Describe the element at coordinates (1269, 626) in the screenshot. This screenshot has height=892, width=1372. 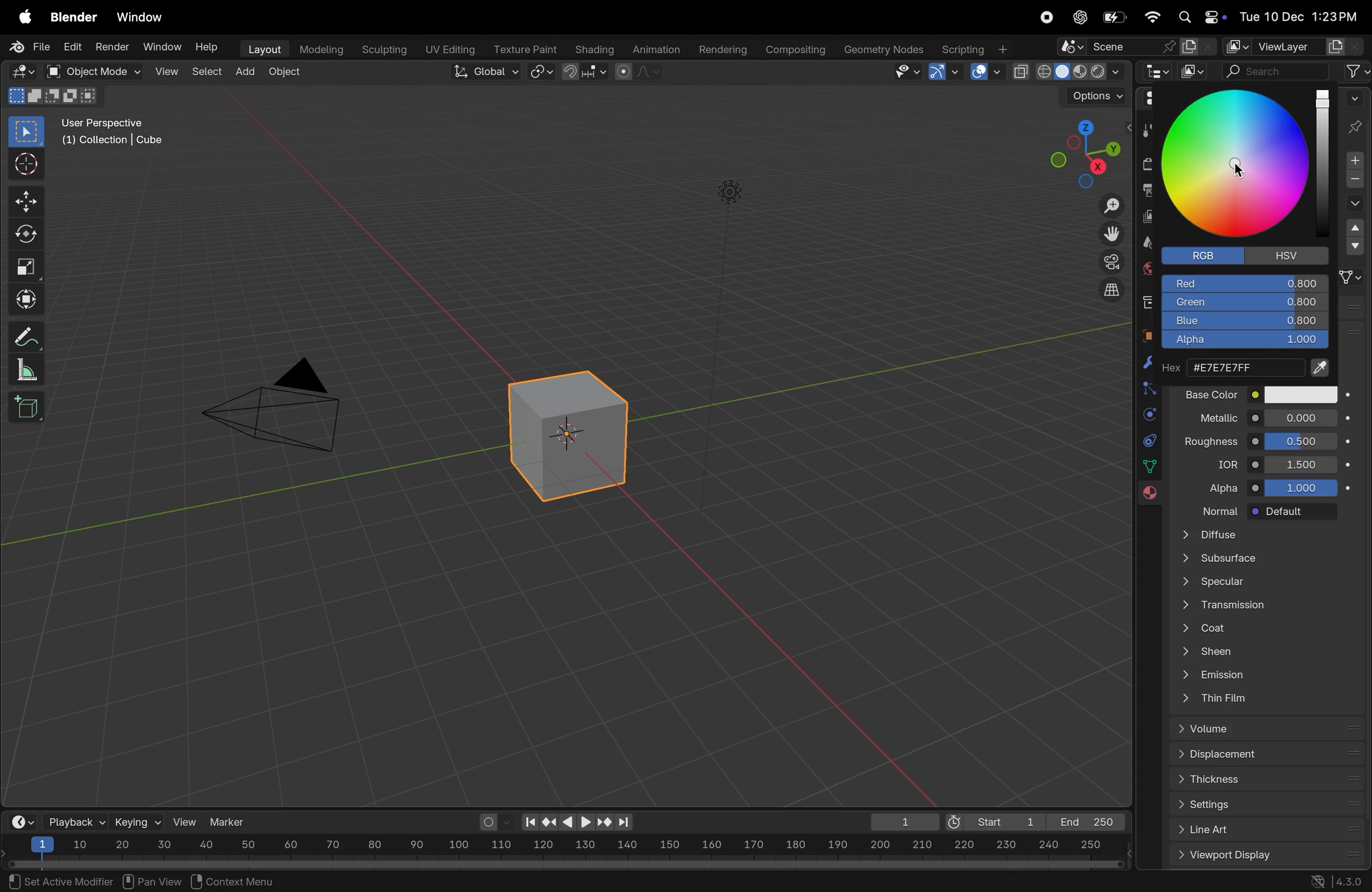
I see `coat` at that location.